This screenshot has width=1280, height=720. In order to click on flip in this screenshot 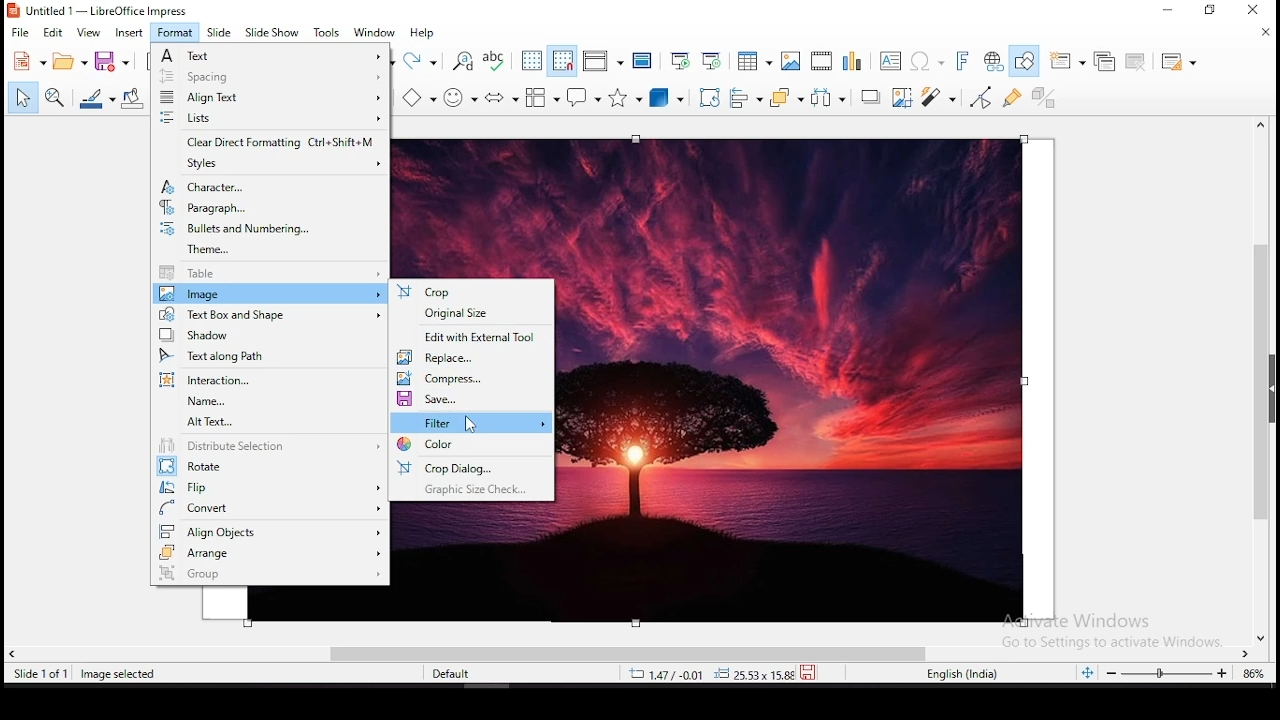, I will do `click(271, 486)`.